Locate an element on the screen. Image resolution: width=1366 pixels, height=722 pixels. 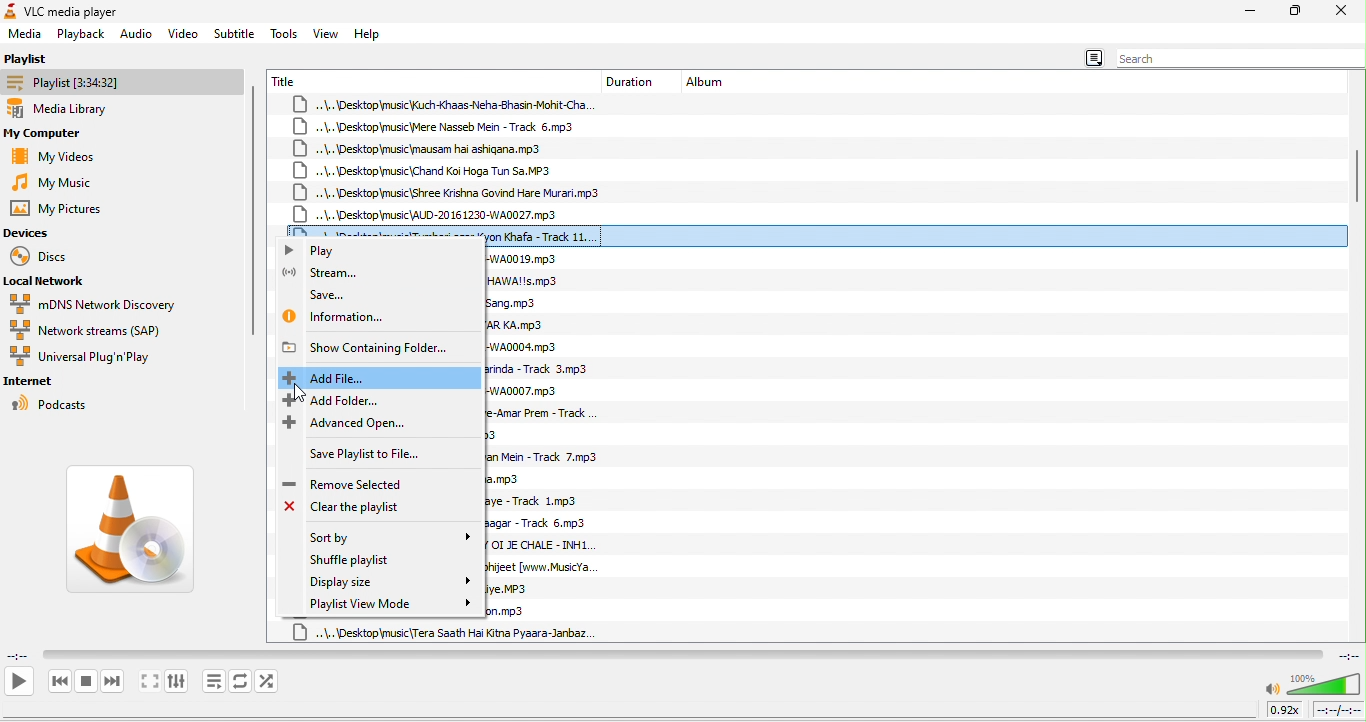
subtitle is located at coordinates (235, 32).